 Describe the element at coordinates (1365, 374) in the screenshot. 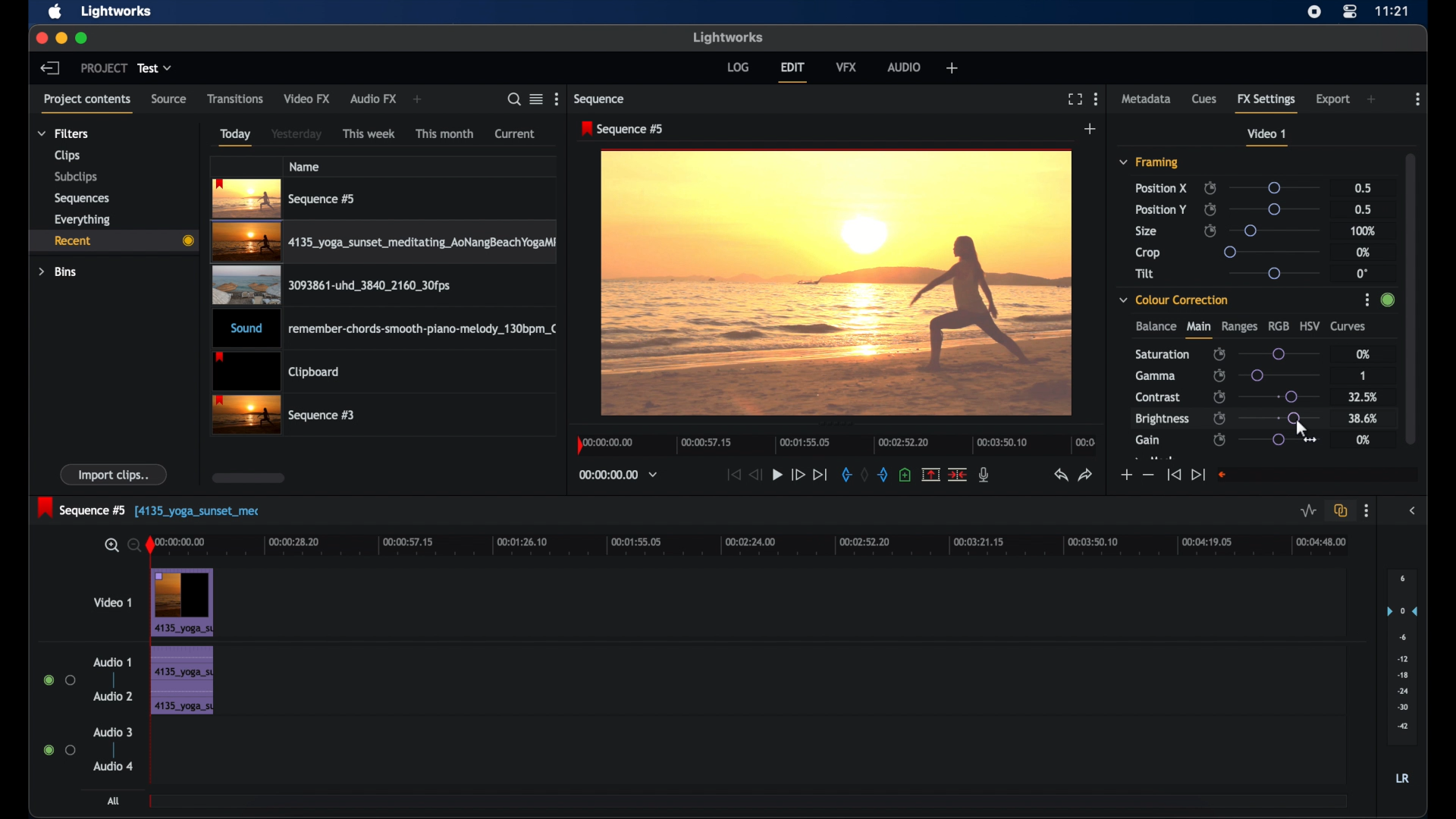

I see `1` at that location.